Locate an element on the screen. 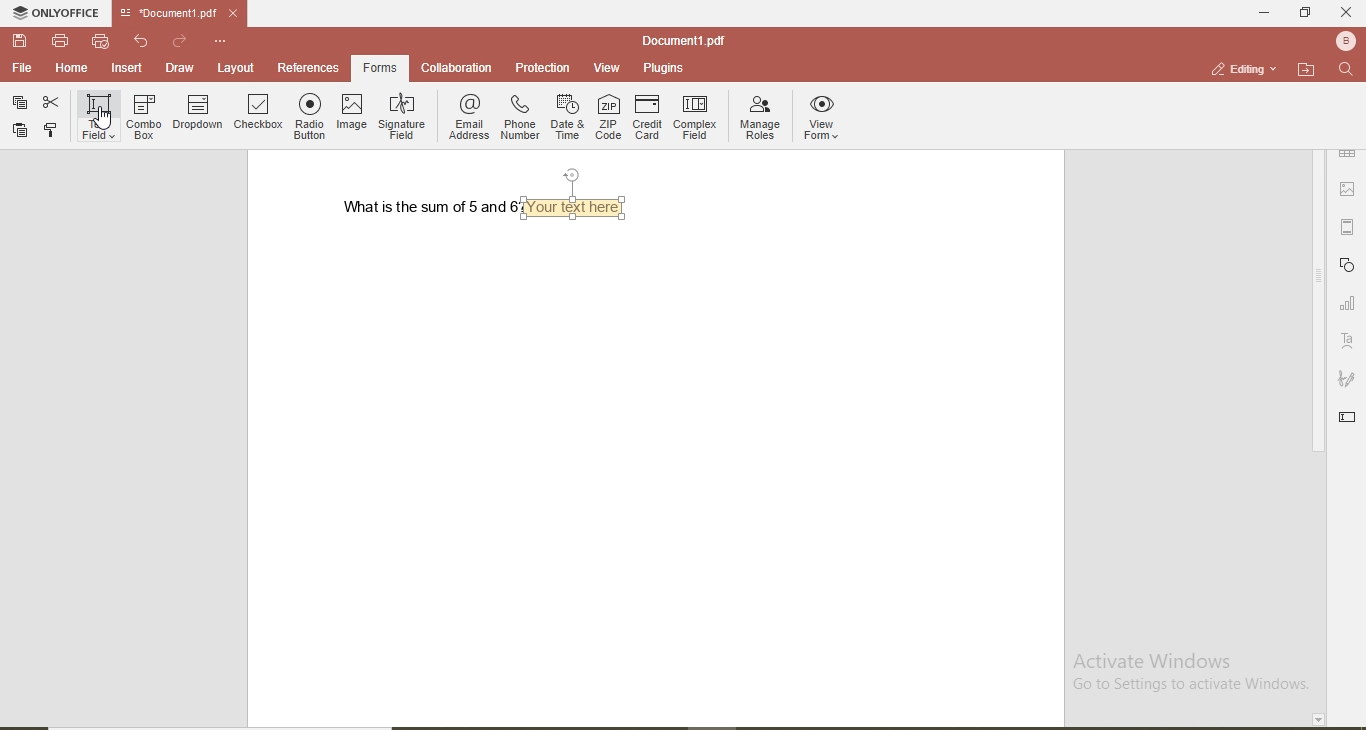 The width and height of the screenshot is (1366, 730). margin is located at coordinates (1350, 229).